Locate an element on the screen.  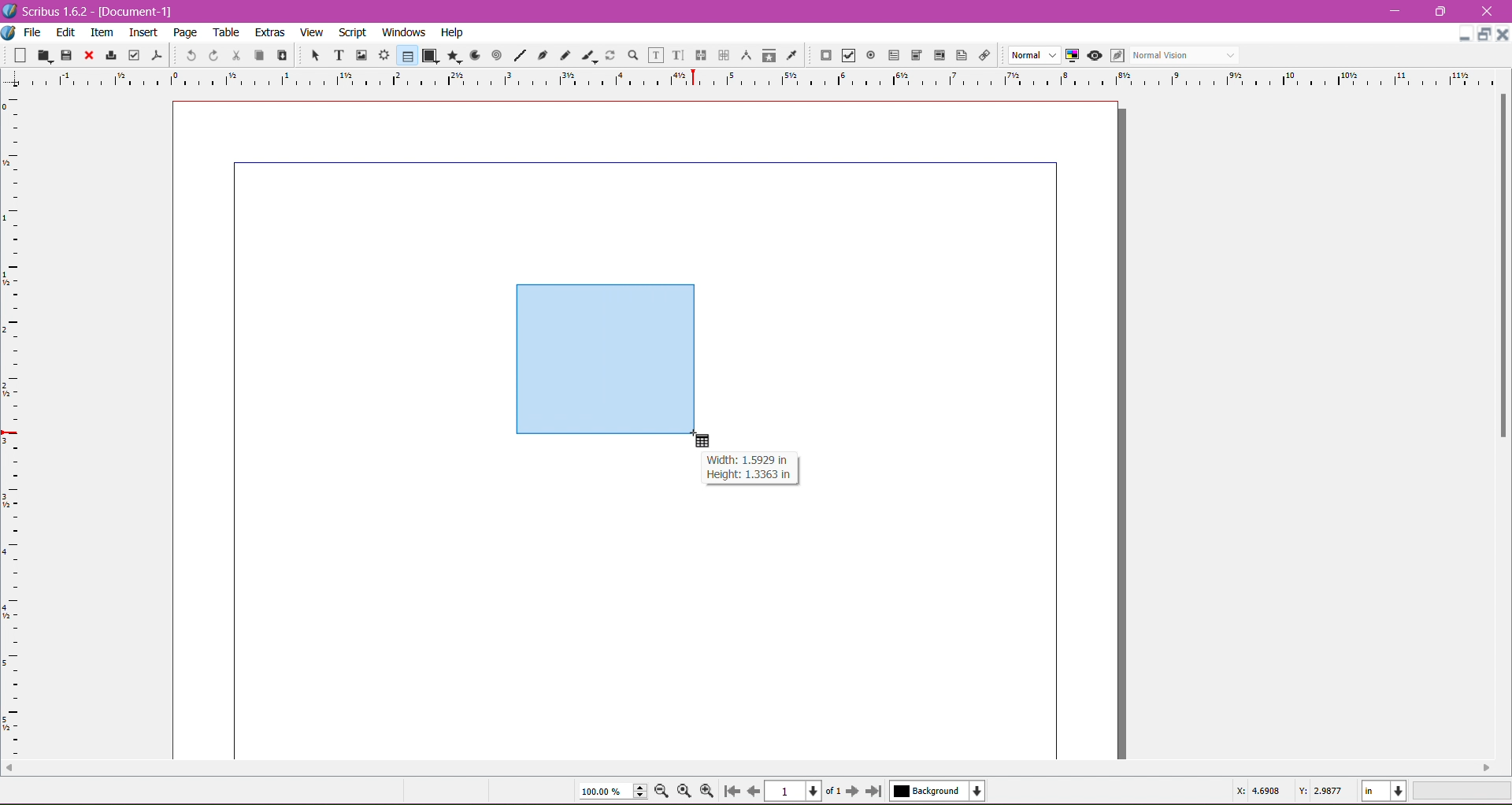
Image Frame is located at coordinates (359, 54).